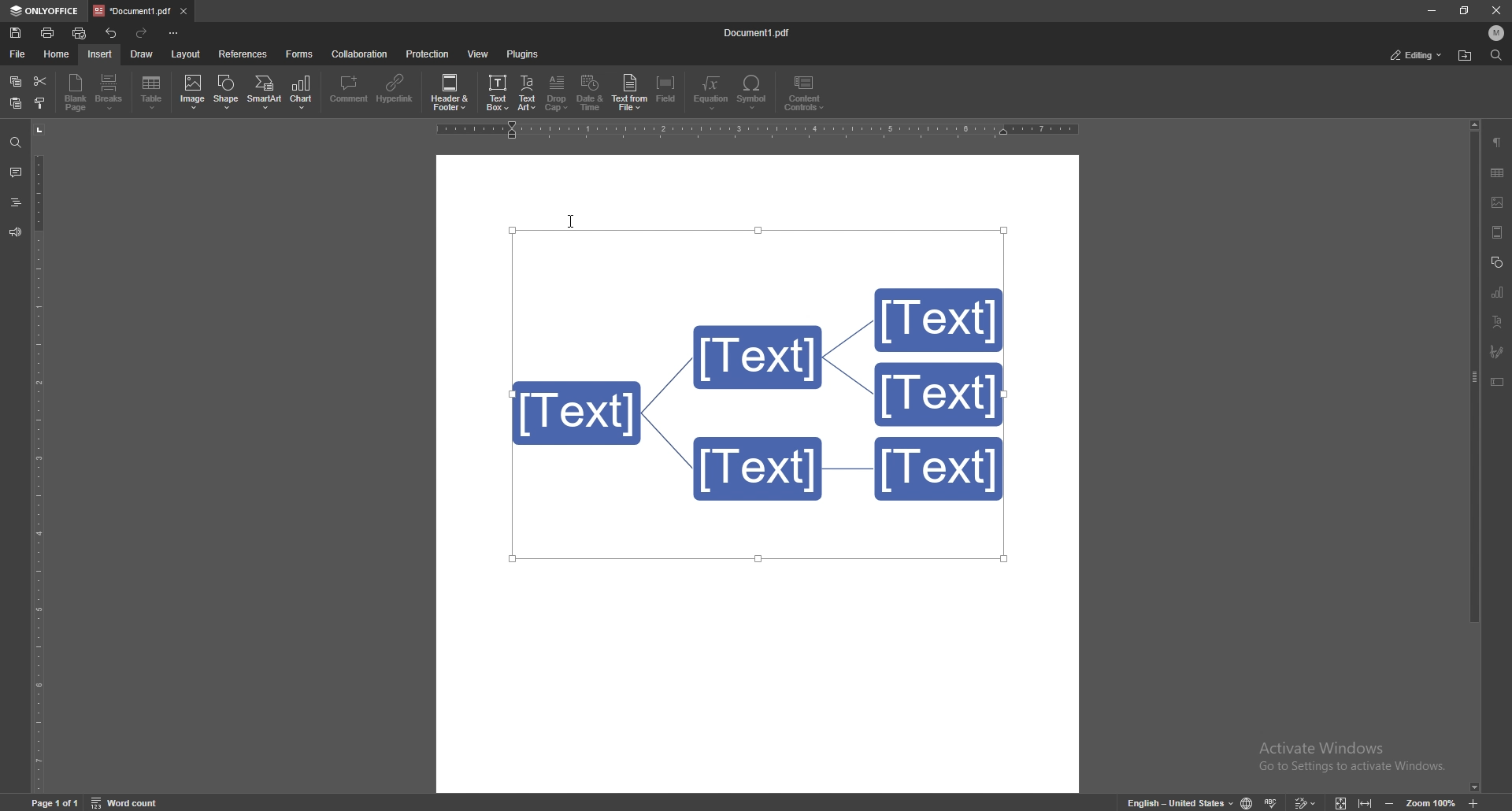 The image size is (1512, 811). What do you see at coordinates (300, 54) in the screenshot?
I see `forms` at bounding box center [300, 54].